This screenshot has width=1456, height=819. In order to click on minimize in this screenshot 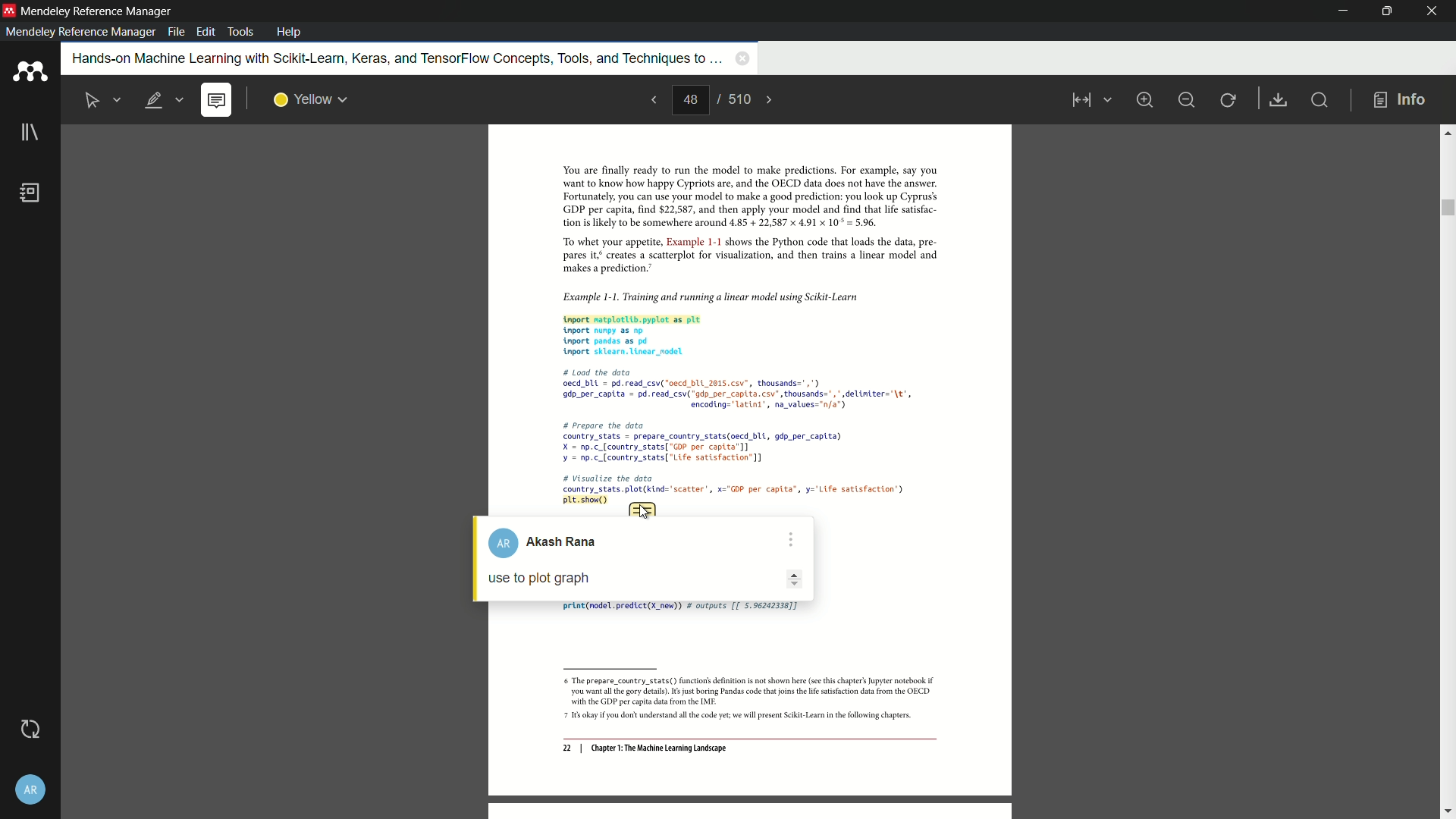, I will do `click(1345, 11)`.